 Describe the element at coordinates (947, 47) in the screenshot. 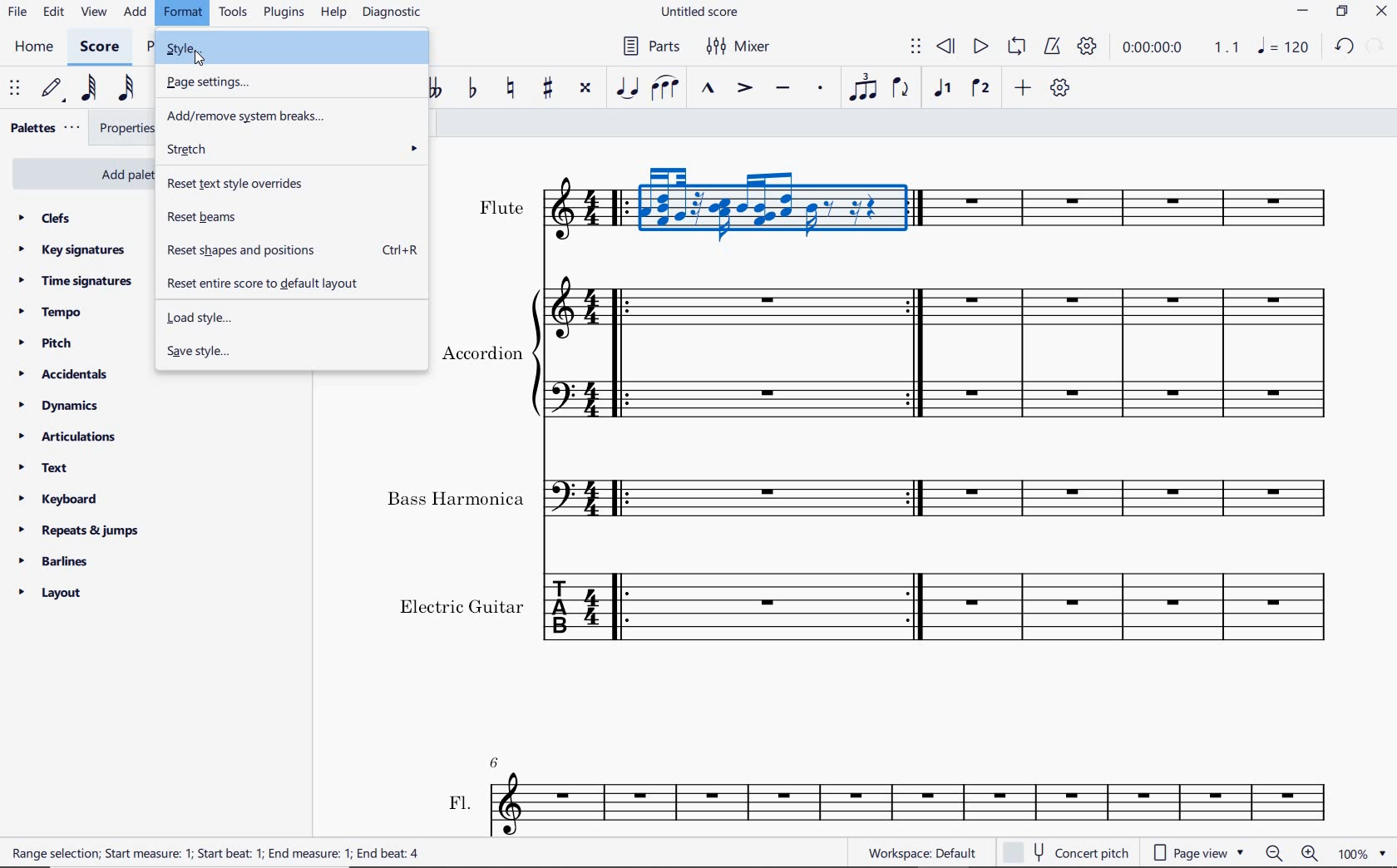

I see `rewind` at that location.